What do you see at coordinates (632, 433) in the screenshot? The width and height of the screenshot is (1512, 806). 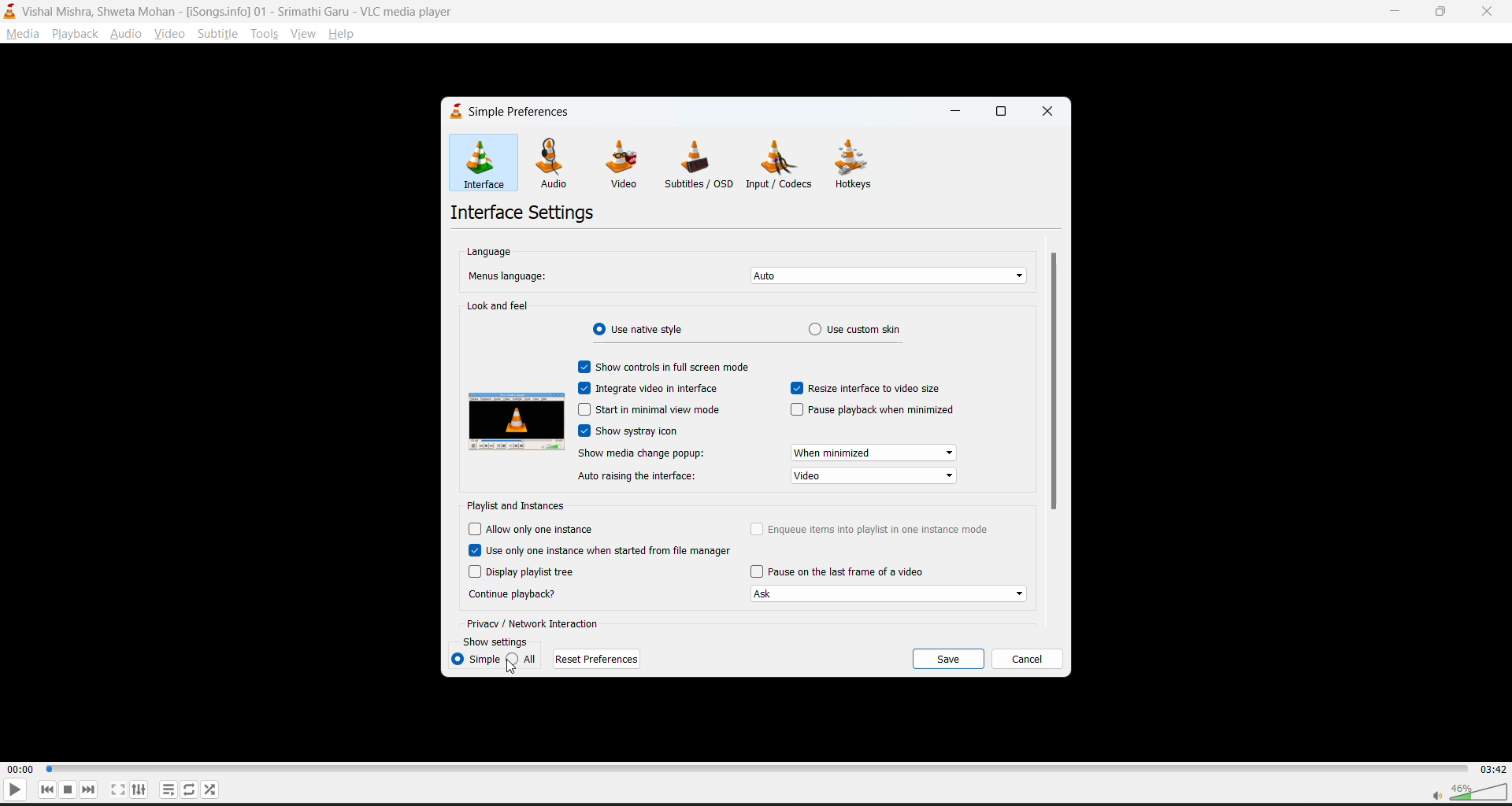 I see `show systray icon` at bounding box center [632, 433].